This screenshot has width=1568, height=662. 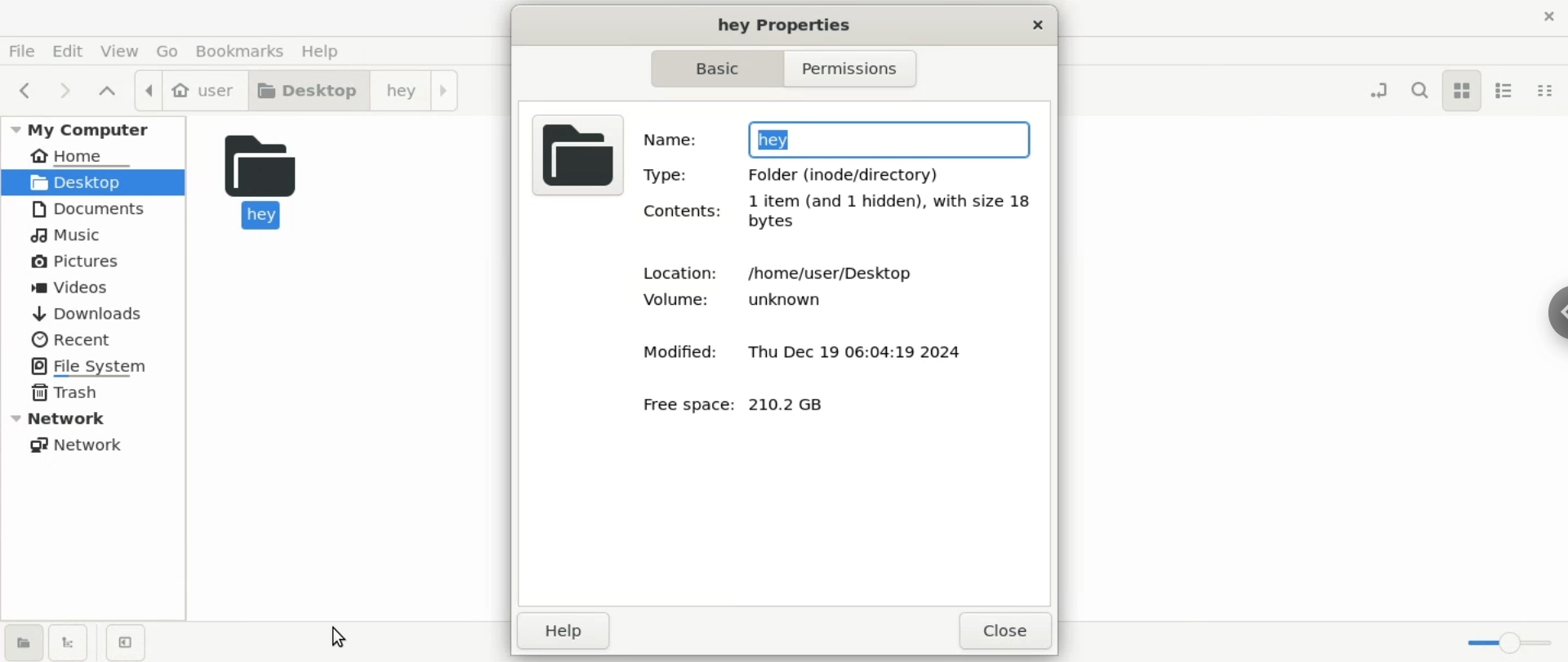 I want to click on user, so click(x=186, y=89).